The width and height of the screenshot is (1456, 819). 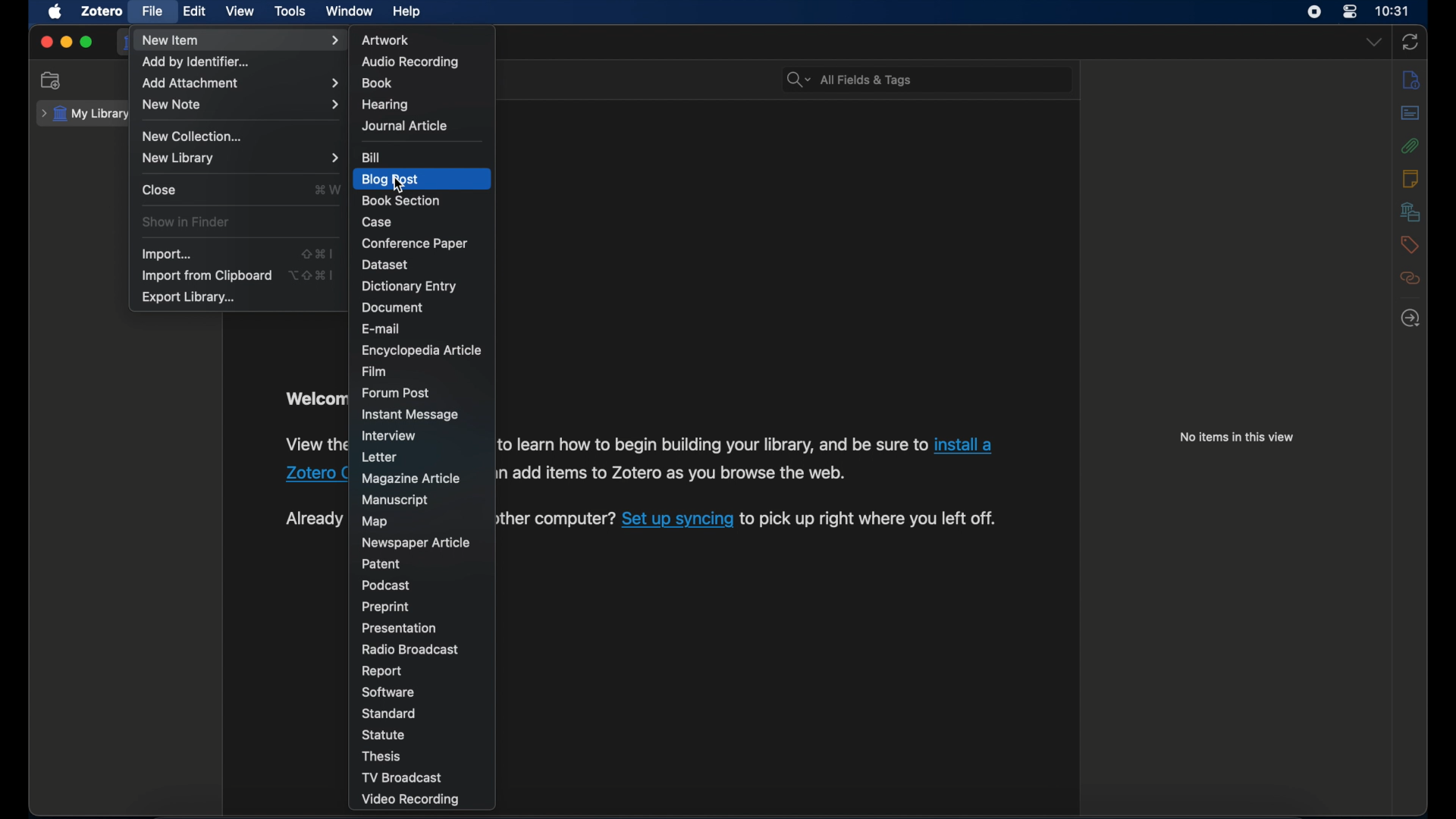 I want to click on interview, so click(x=388, y=436).